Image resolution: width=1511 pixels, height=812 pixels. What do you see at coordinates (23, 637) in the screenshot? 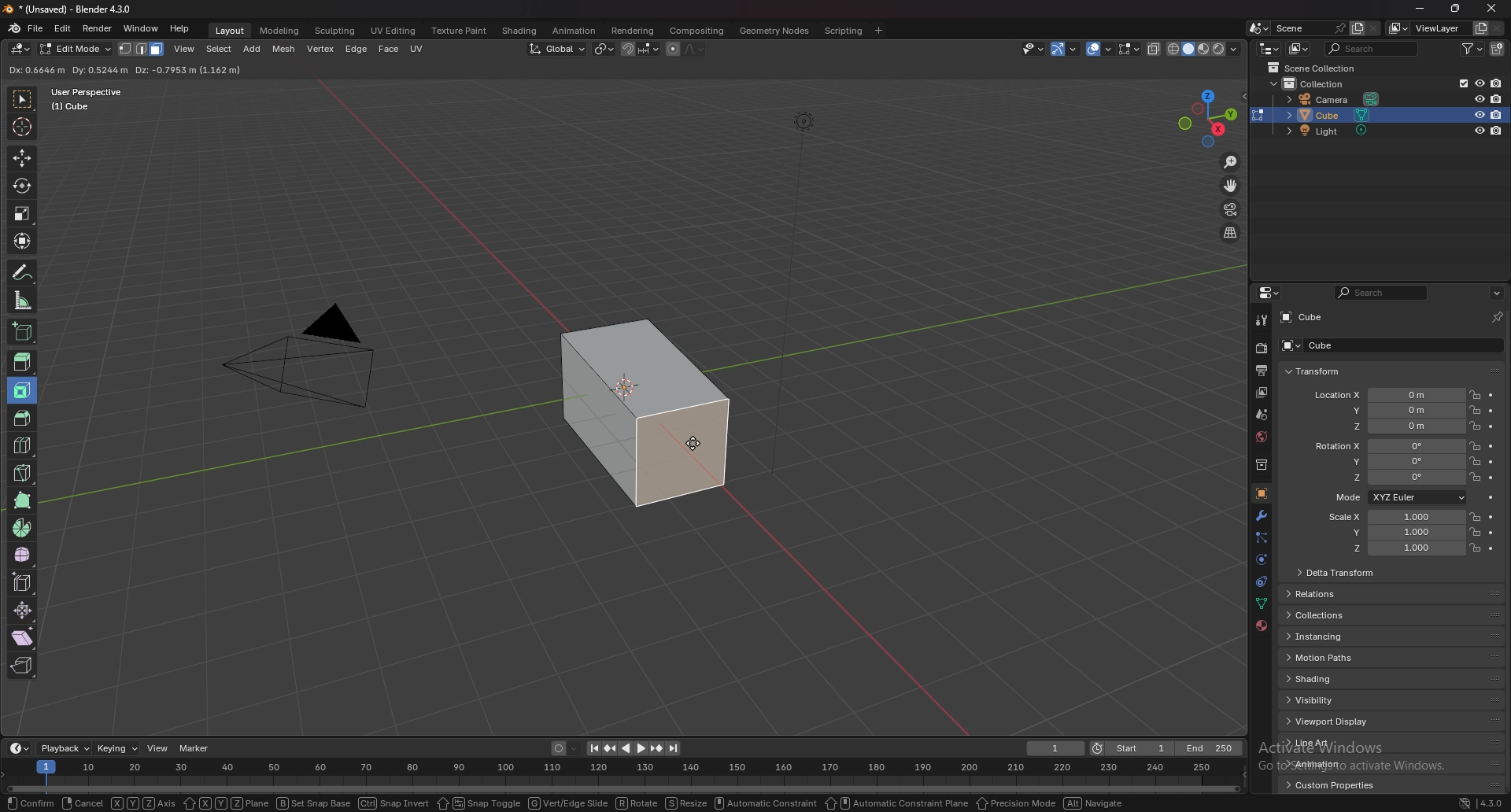
I see `shear` at bounding box center [23, 637].